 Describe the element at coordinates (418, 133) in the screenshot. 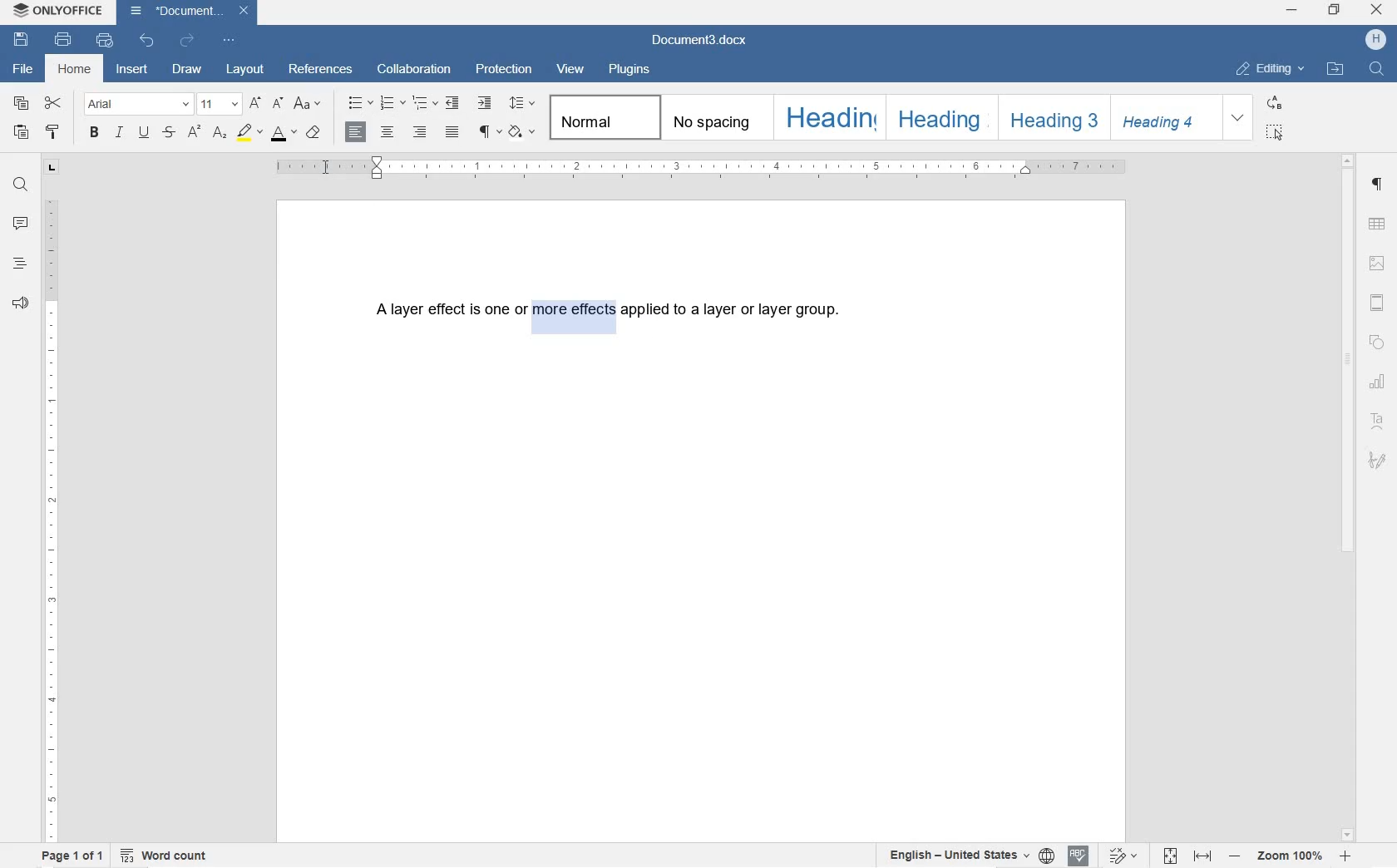

I see `ALIGN RIGHT` at that location.